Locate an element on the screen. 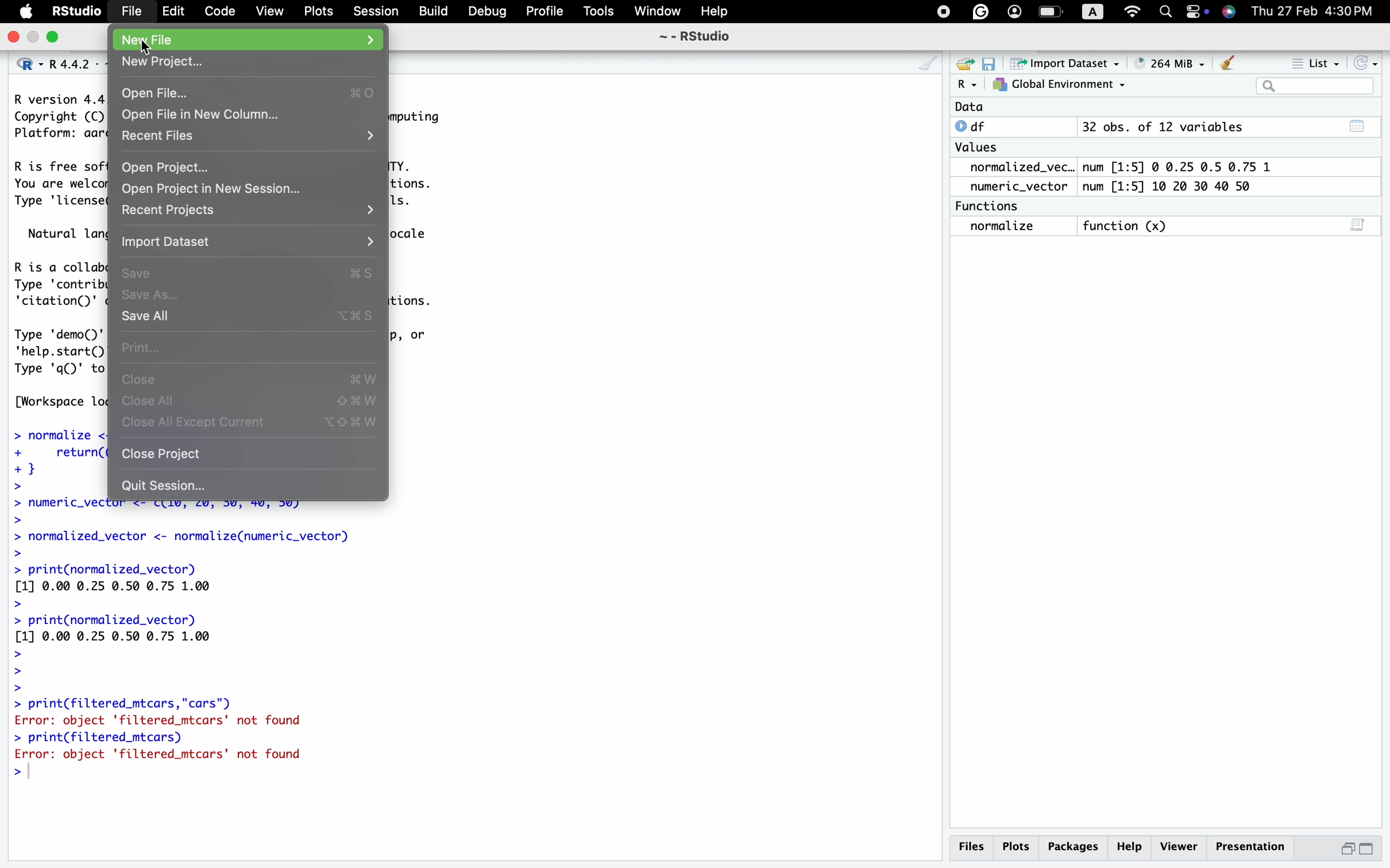  select language is located at coordinates (22, 64).